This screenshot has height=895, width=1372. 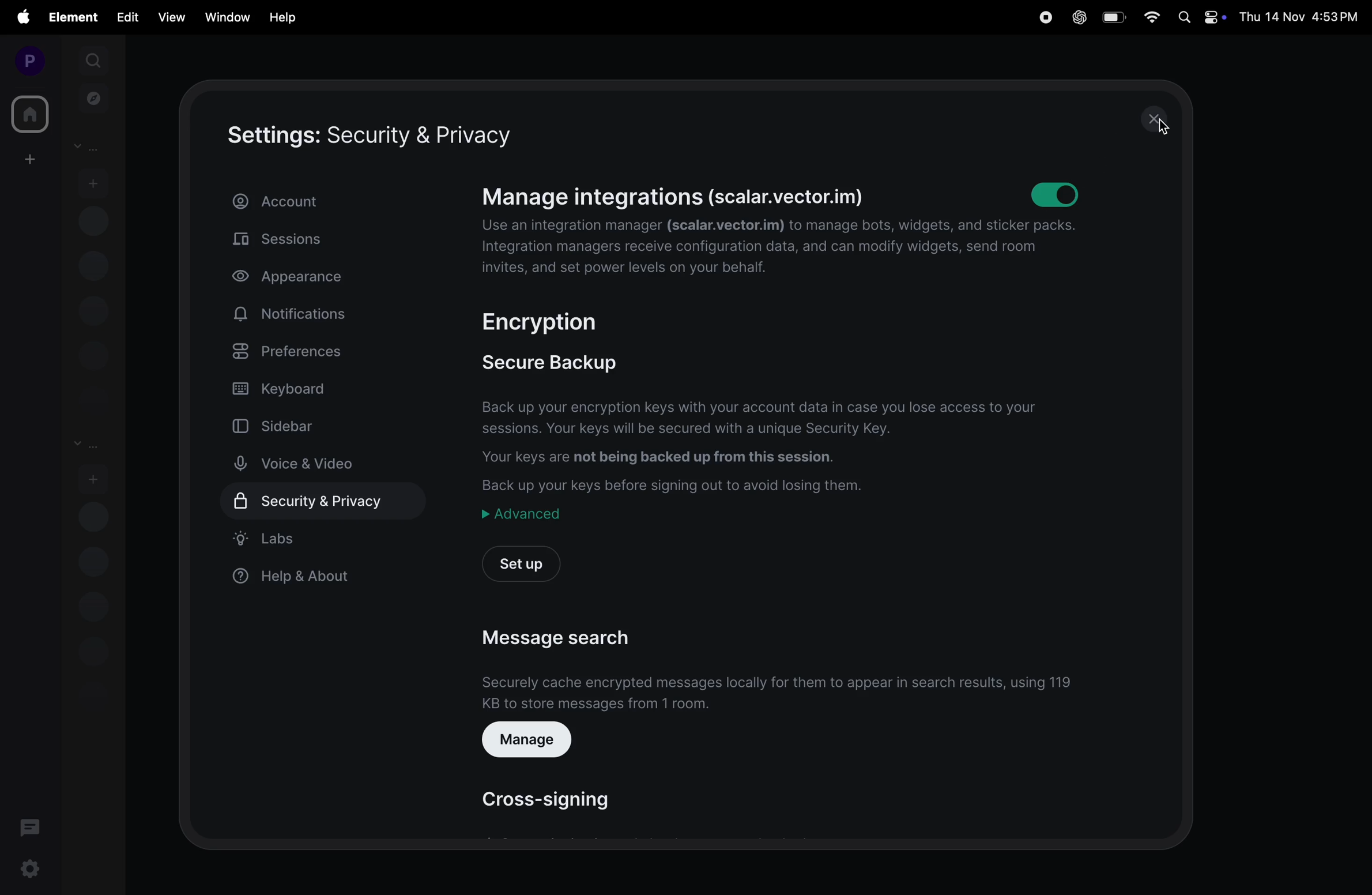 I want to click on encryption, so click(x=544, y=319).